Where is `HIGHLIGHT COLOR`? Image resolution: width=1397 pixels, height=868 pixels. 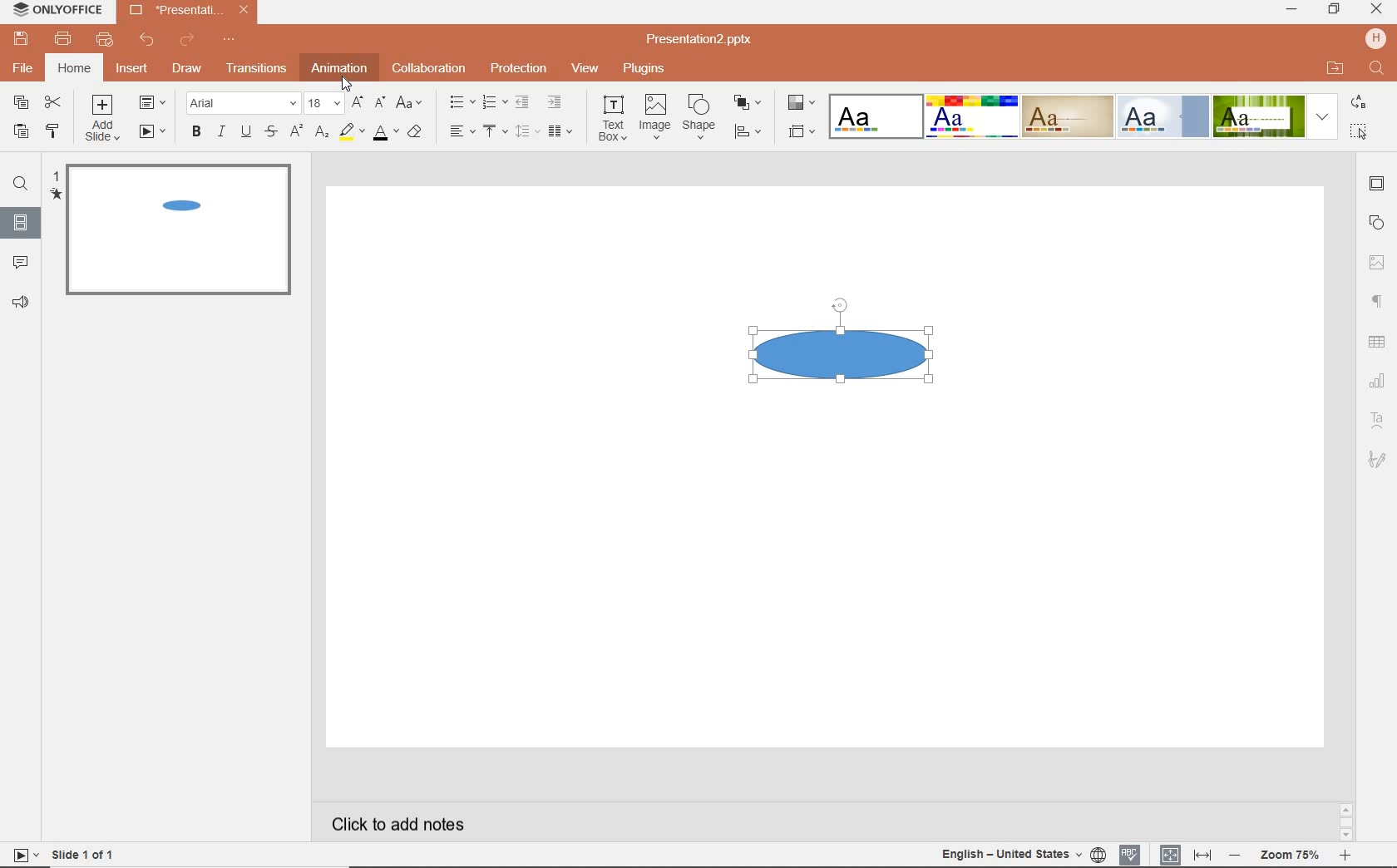 HIGHLIGHT COLOR is located at coordinates (352, 131).